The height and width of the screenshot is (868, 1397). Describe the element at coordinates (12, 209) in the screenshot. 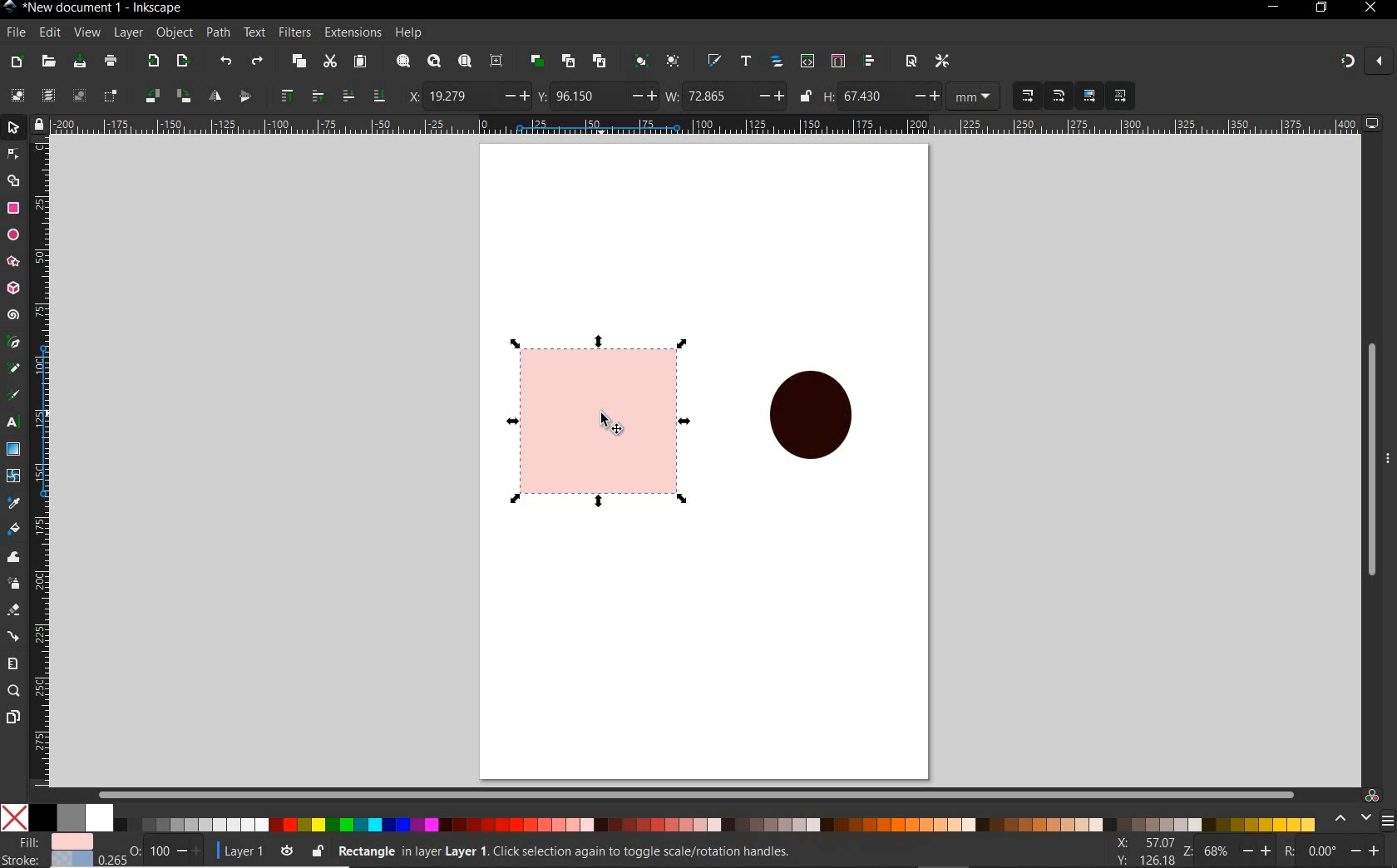

I see `rectangle tool` at that location.